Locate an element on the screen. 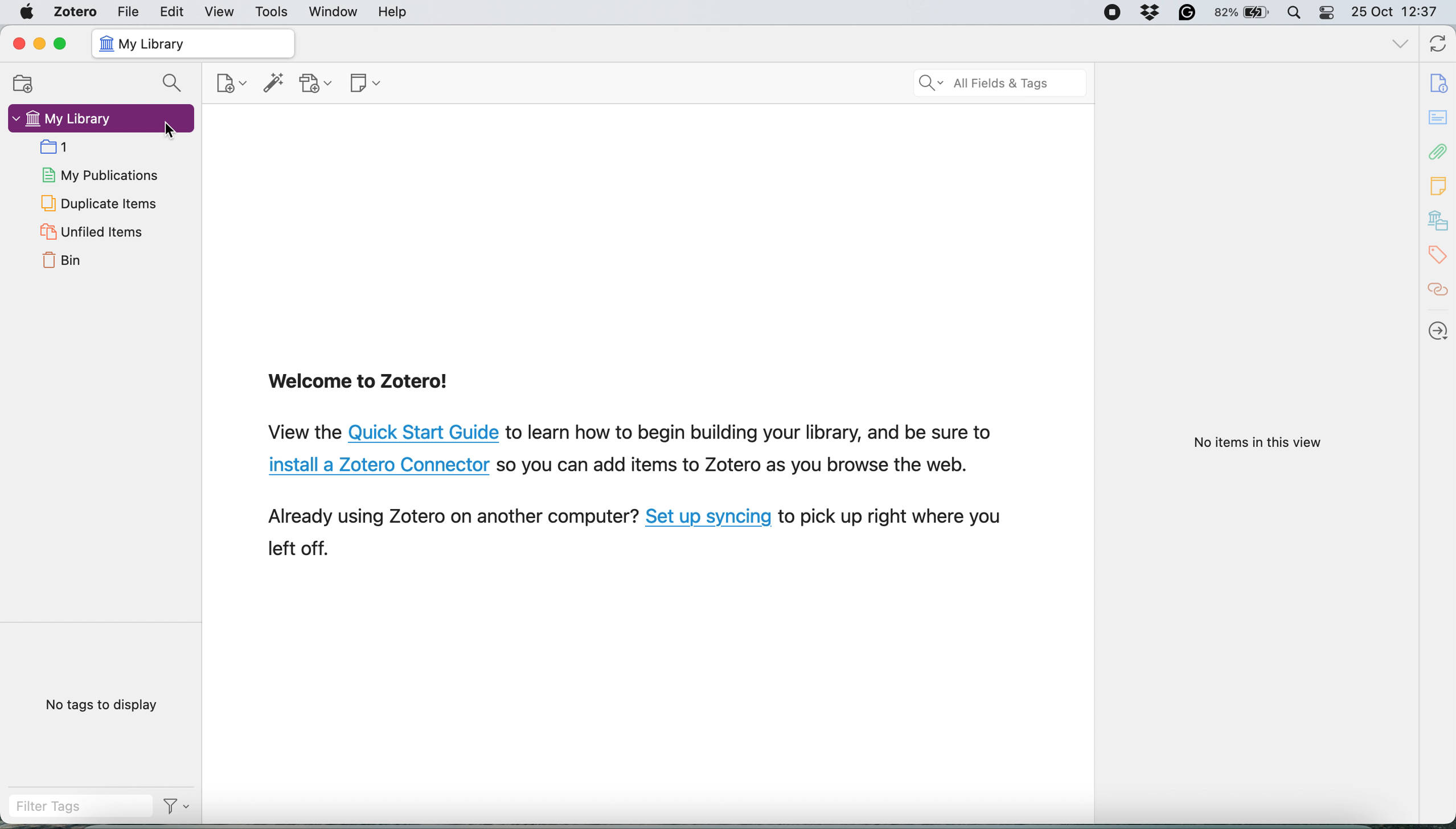  citations is located at coordinates (1441, 292).